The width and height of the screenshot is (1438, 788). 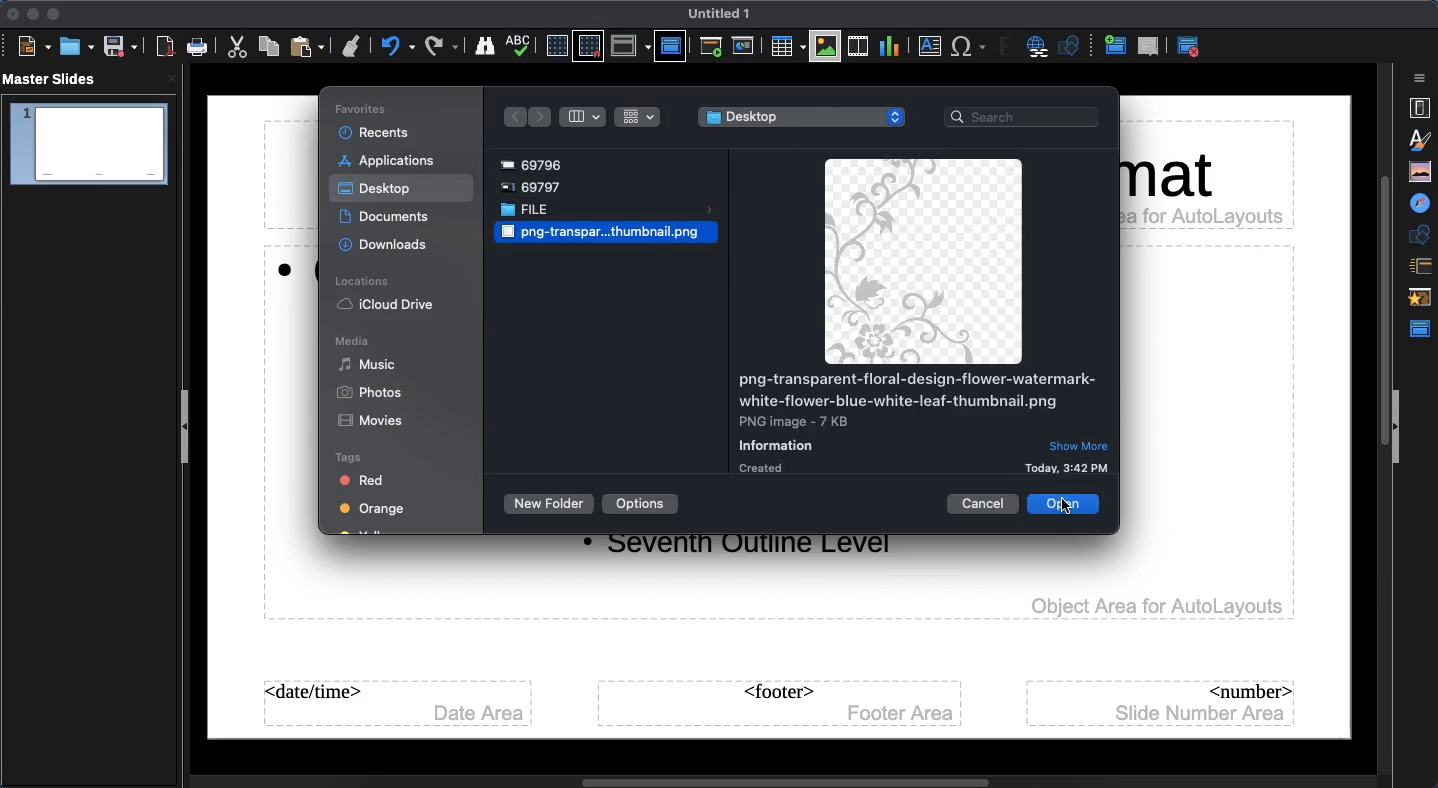 What do you see at coordinates (1422, 234) in the screenshot?
I see `Shapes` at bounding box center [1422, 234].